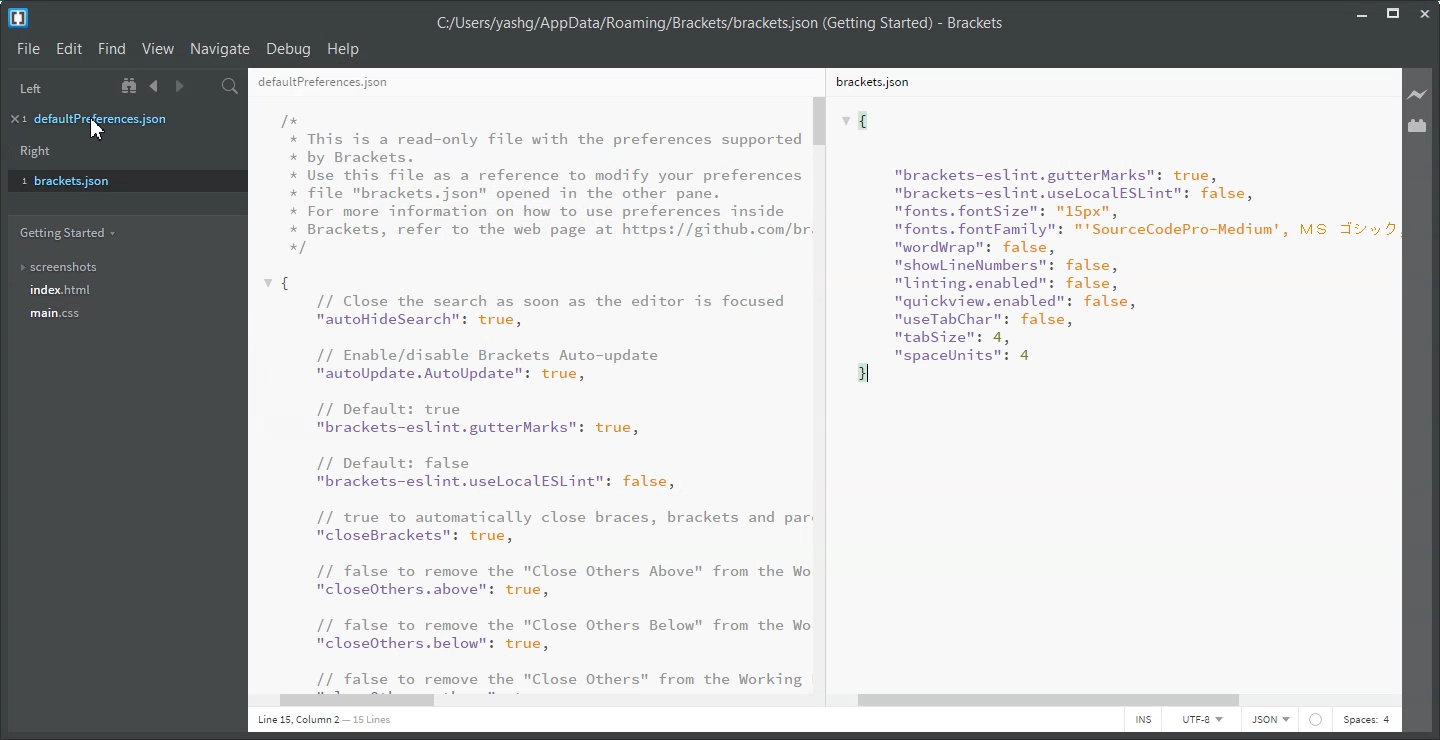 The height and width of the screenshot is (740, 1440). What do you see at coordinates (116, 118) in the screenshot?
I see `defaultpreferences.json` at bounding box center [116, 118].